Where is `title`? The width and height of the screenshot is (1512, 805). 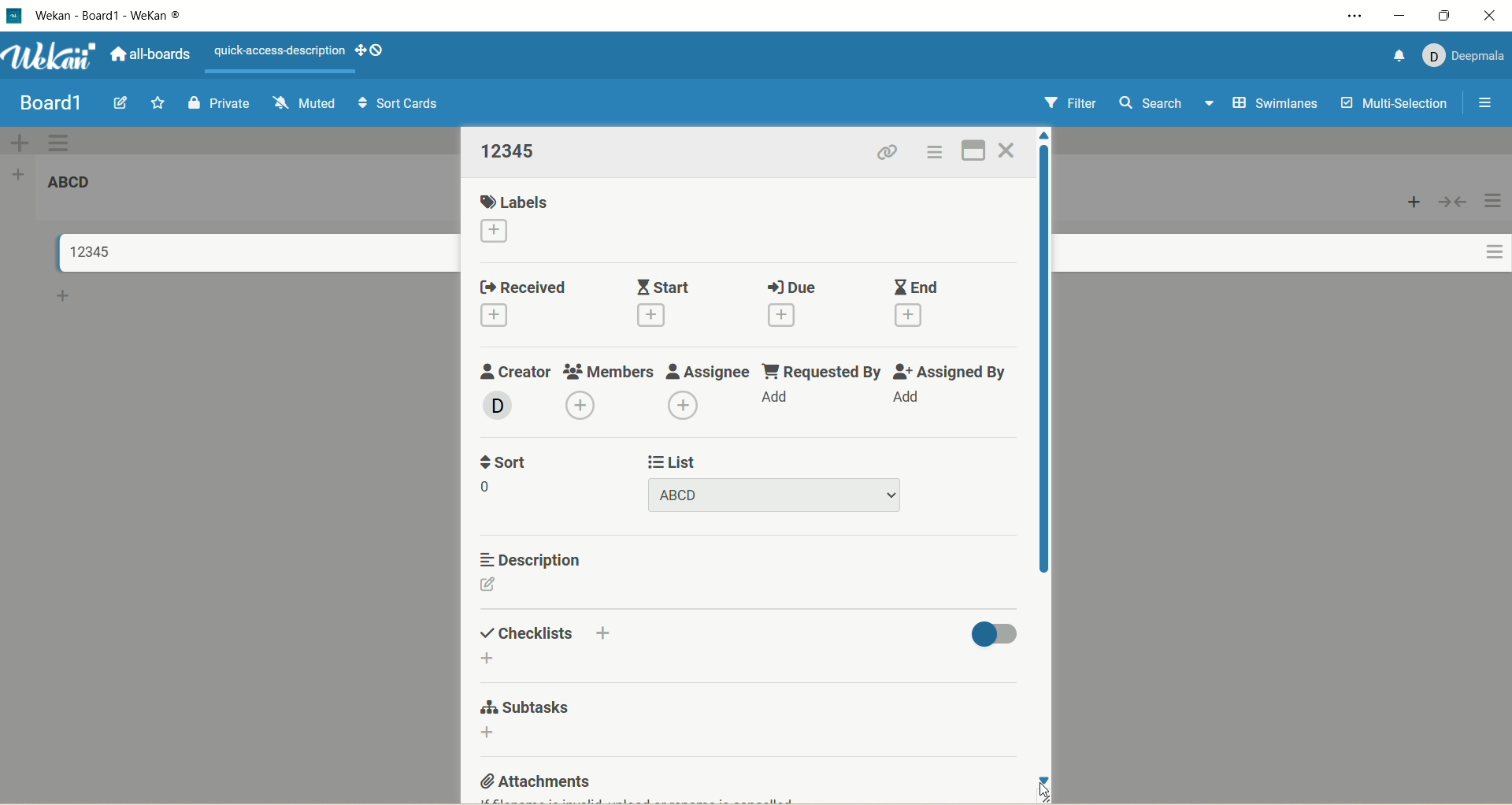
title is located at coordinates (136, 16).